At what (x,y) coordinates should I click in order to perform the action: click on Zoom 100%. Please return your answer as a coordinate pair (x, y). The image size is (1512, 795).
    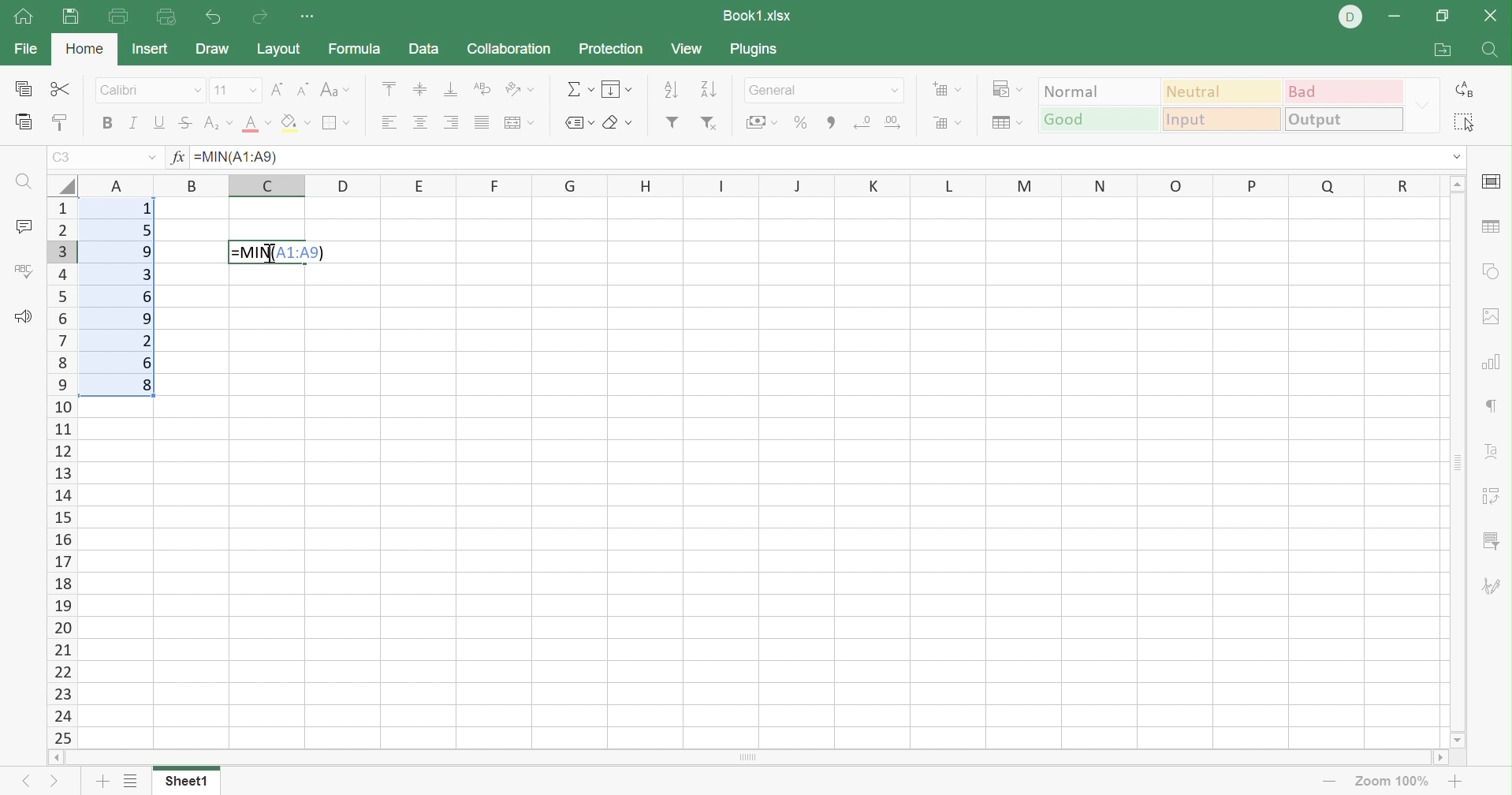
    Looking at the image, I should click on (1390, 780).